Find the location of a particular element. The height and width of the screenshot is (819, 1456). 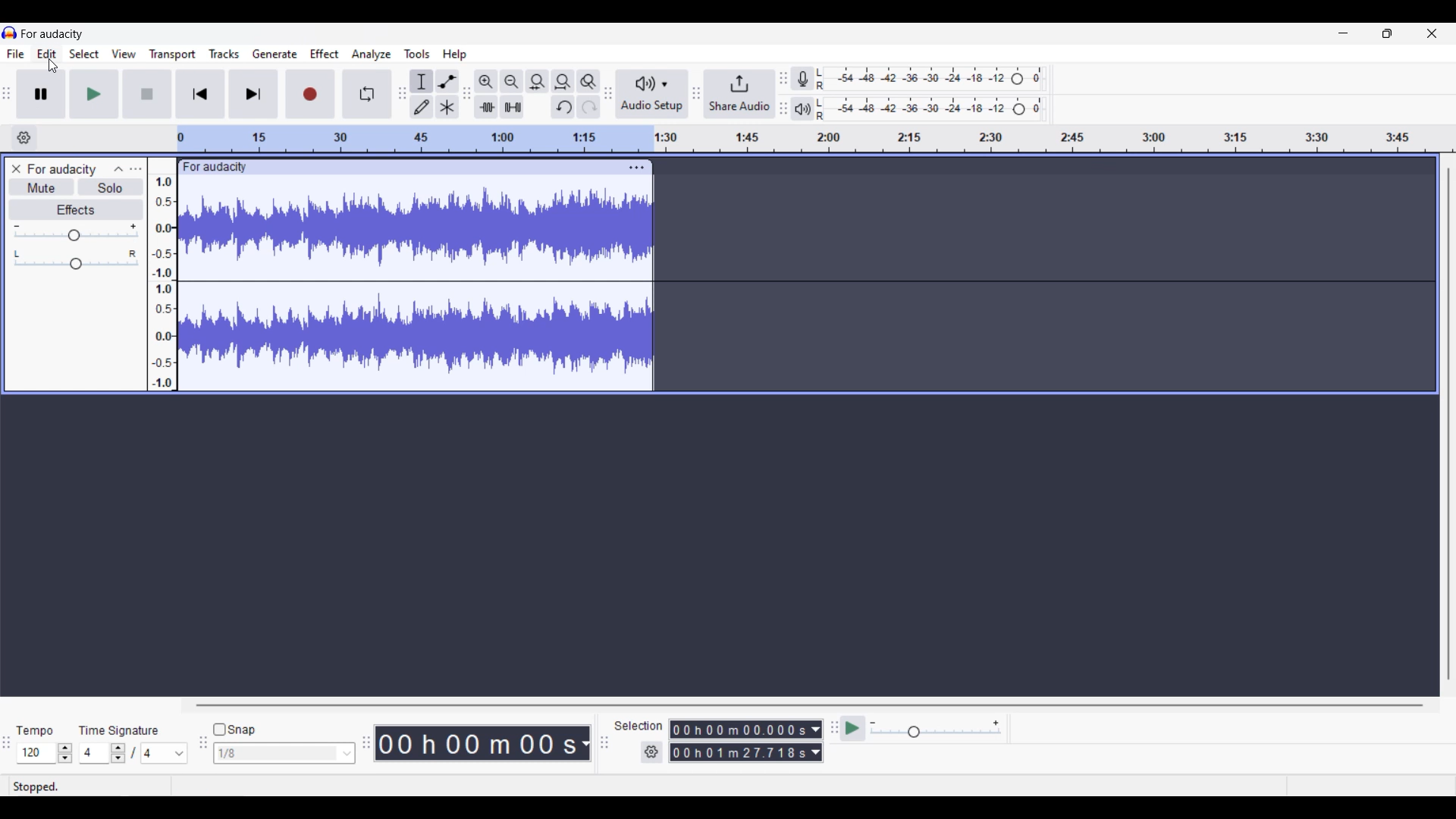

Duration measurement is located at coordinates (816, 742).